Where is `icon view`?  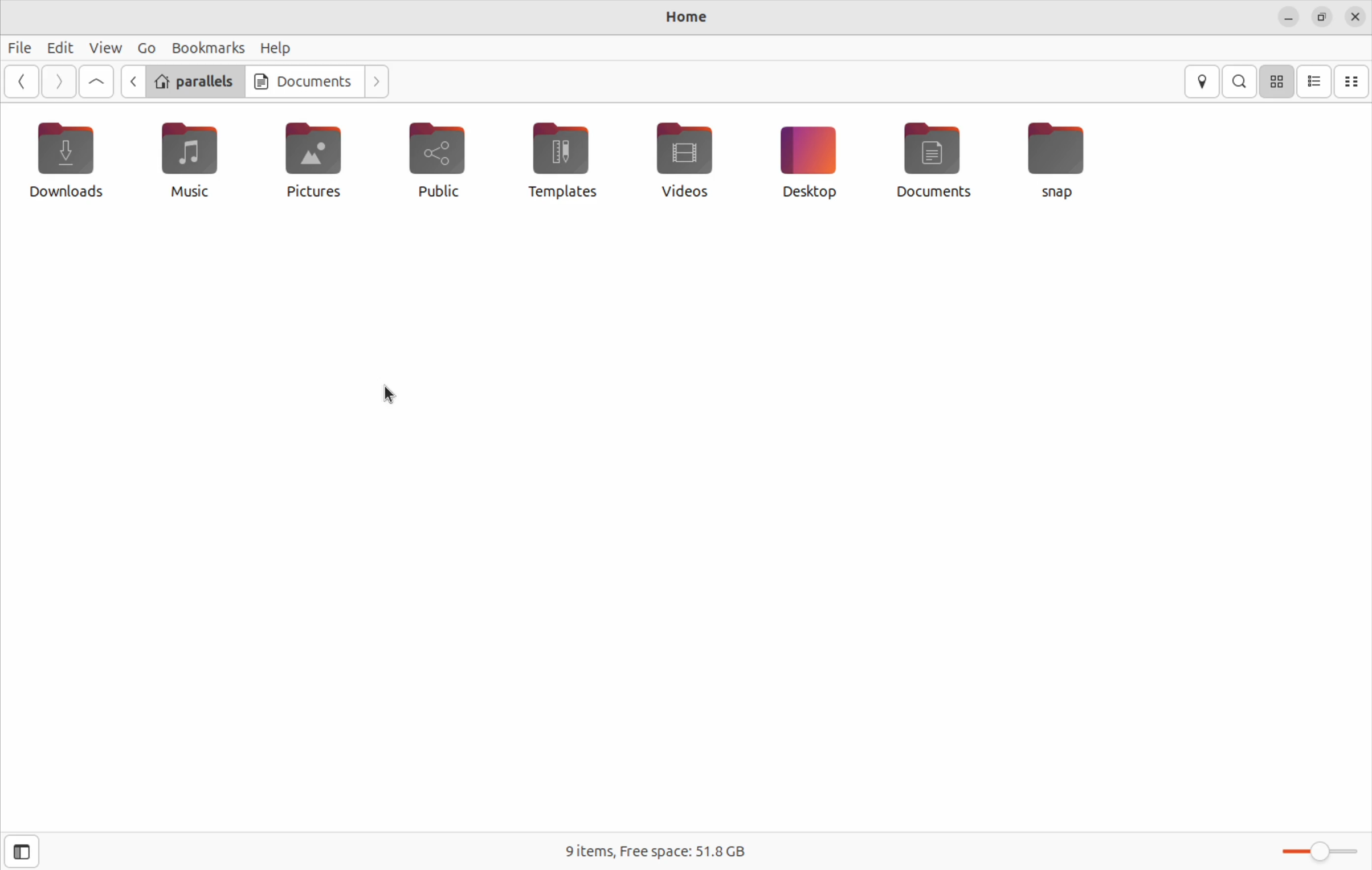
icon view is located at coordinates (1276, 83).